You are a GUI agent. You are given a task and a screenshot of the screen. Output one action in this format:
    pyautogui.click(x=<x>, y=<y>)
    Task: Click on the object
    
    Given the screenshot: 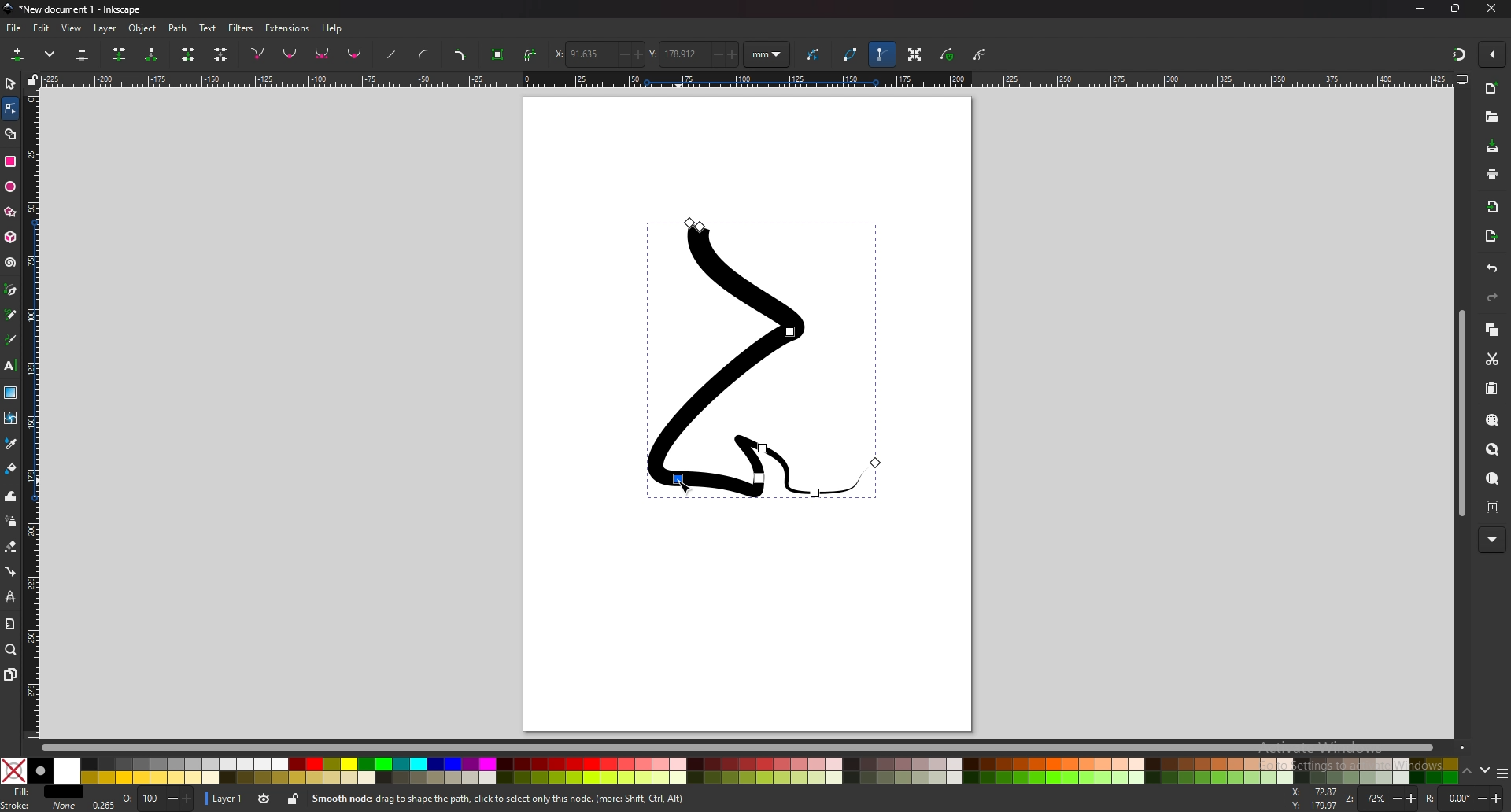 What is the action you would take?
    pyautogui.click(x=142, y=28)
    